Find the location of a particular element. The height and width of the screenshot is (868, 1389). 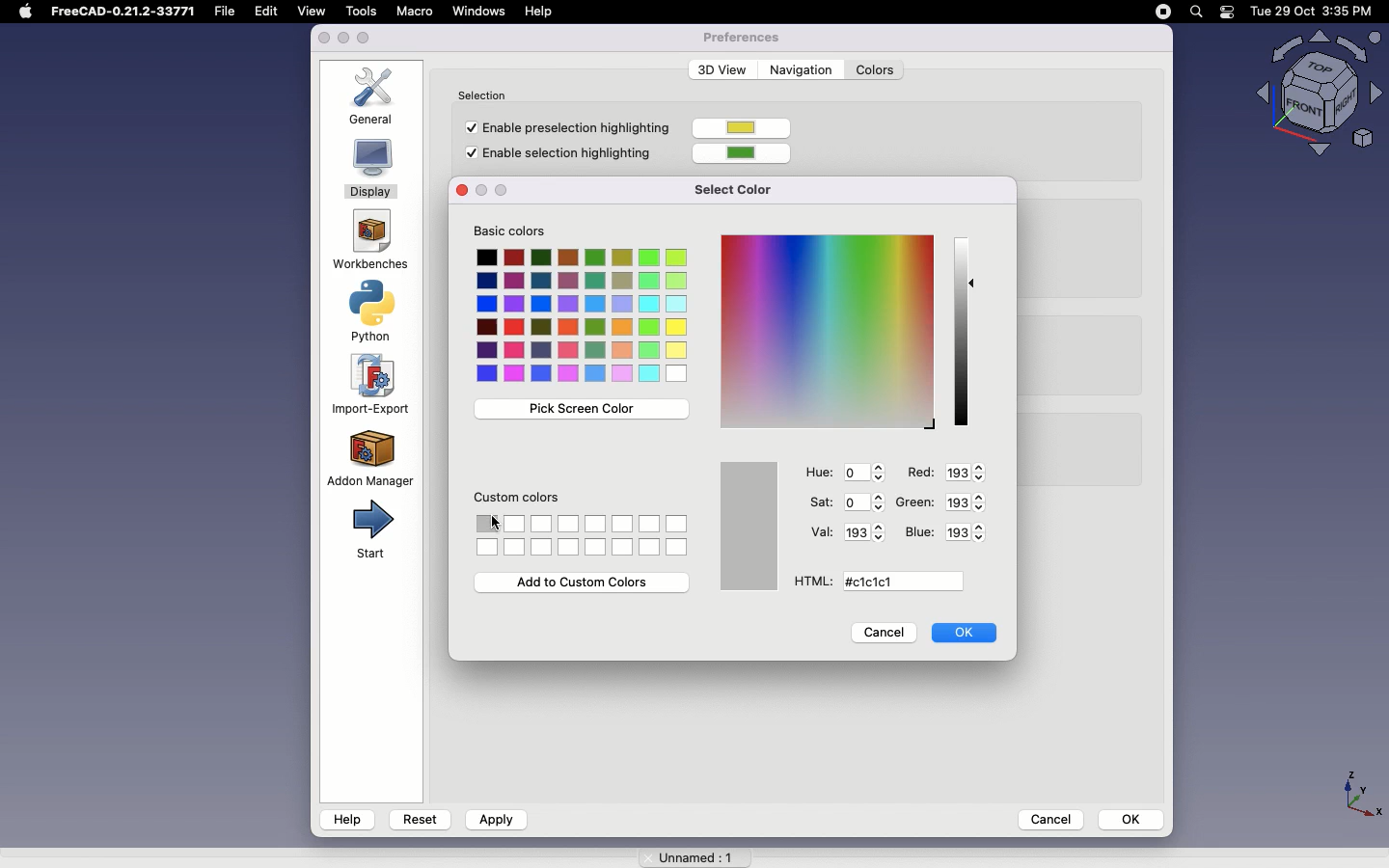

193 is located at coordinates (862, 532).